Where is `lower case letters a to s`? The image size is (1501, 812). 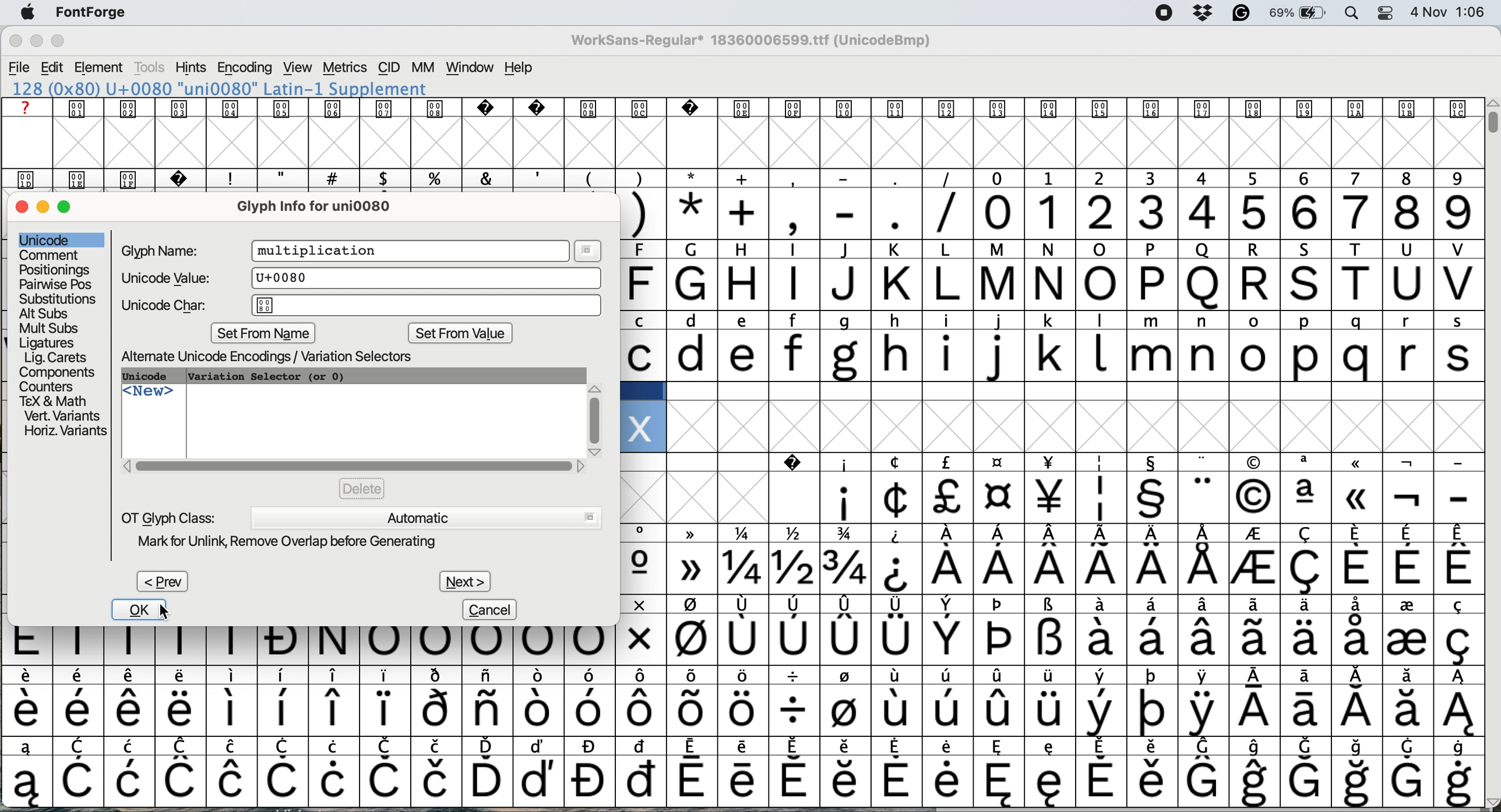 lower case letters a to s is located at coordinates (1050, 355).